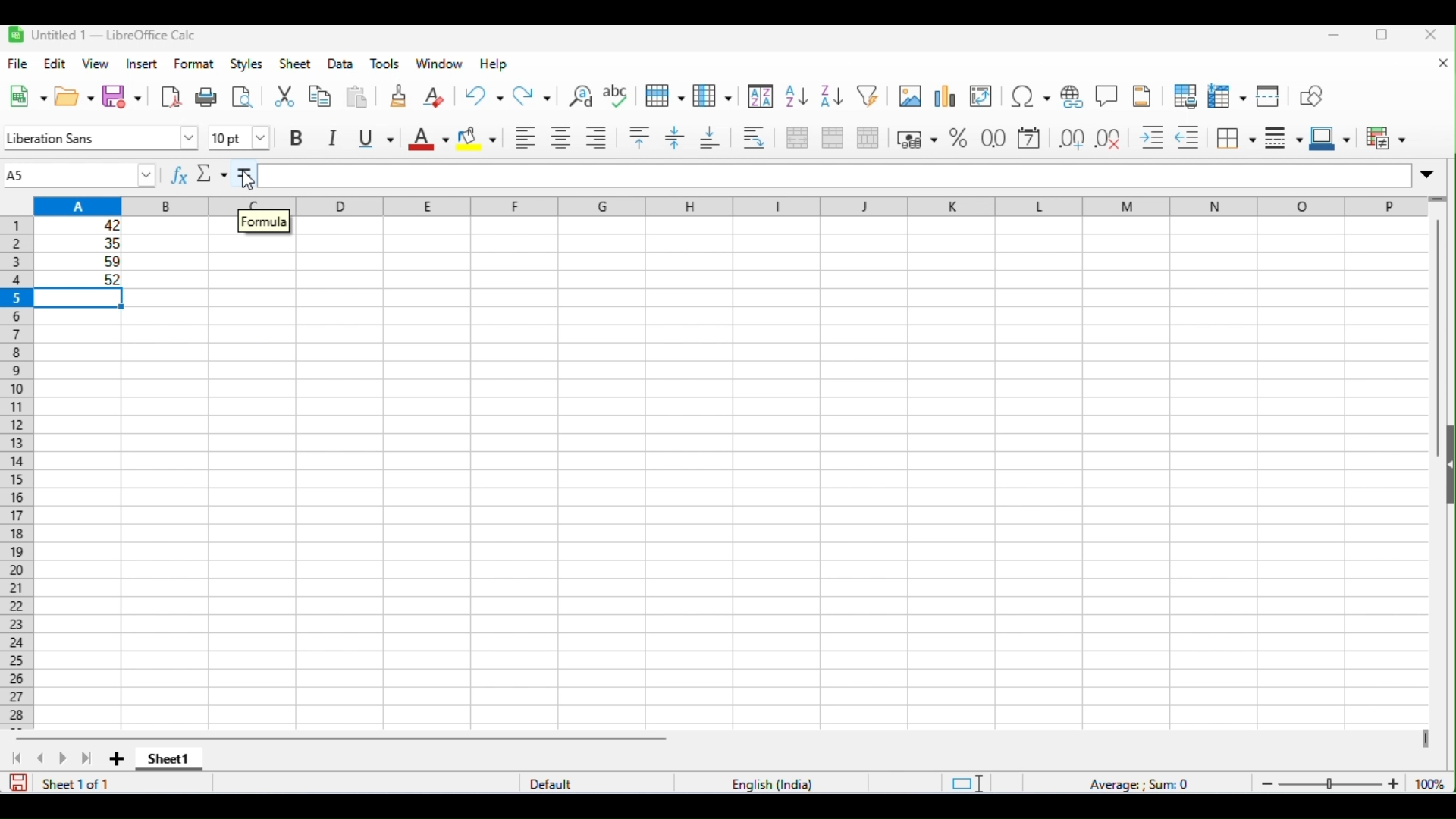  I want to click on insert header and footer, so click(1143, 96).